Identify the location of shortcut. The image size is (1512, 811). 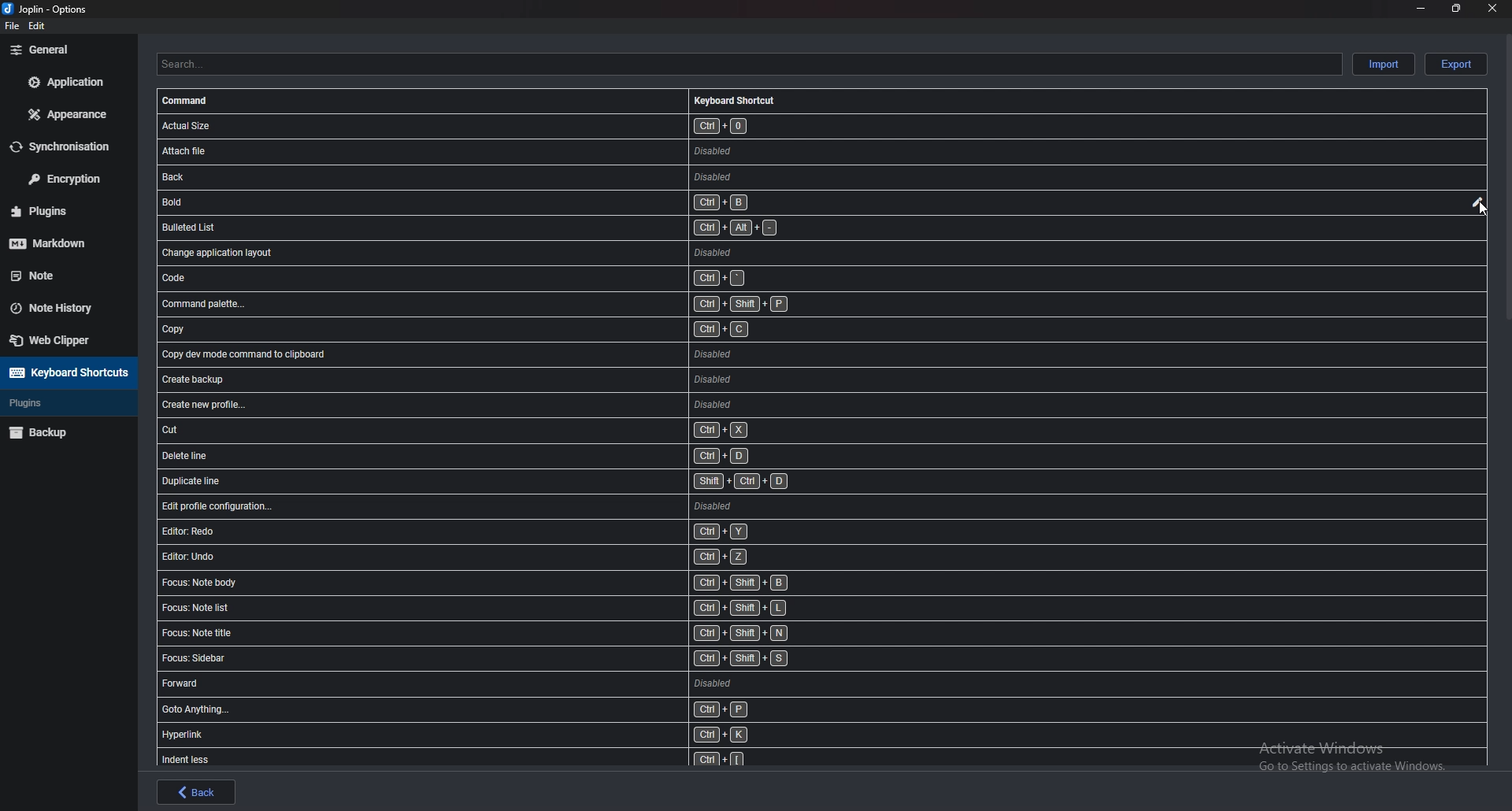
(525, 405).